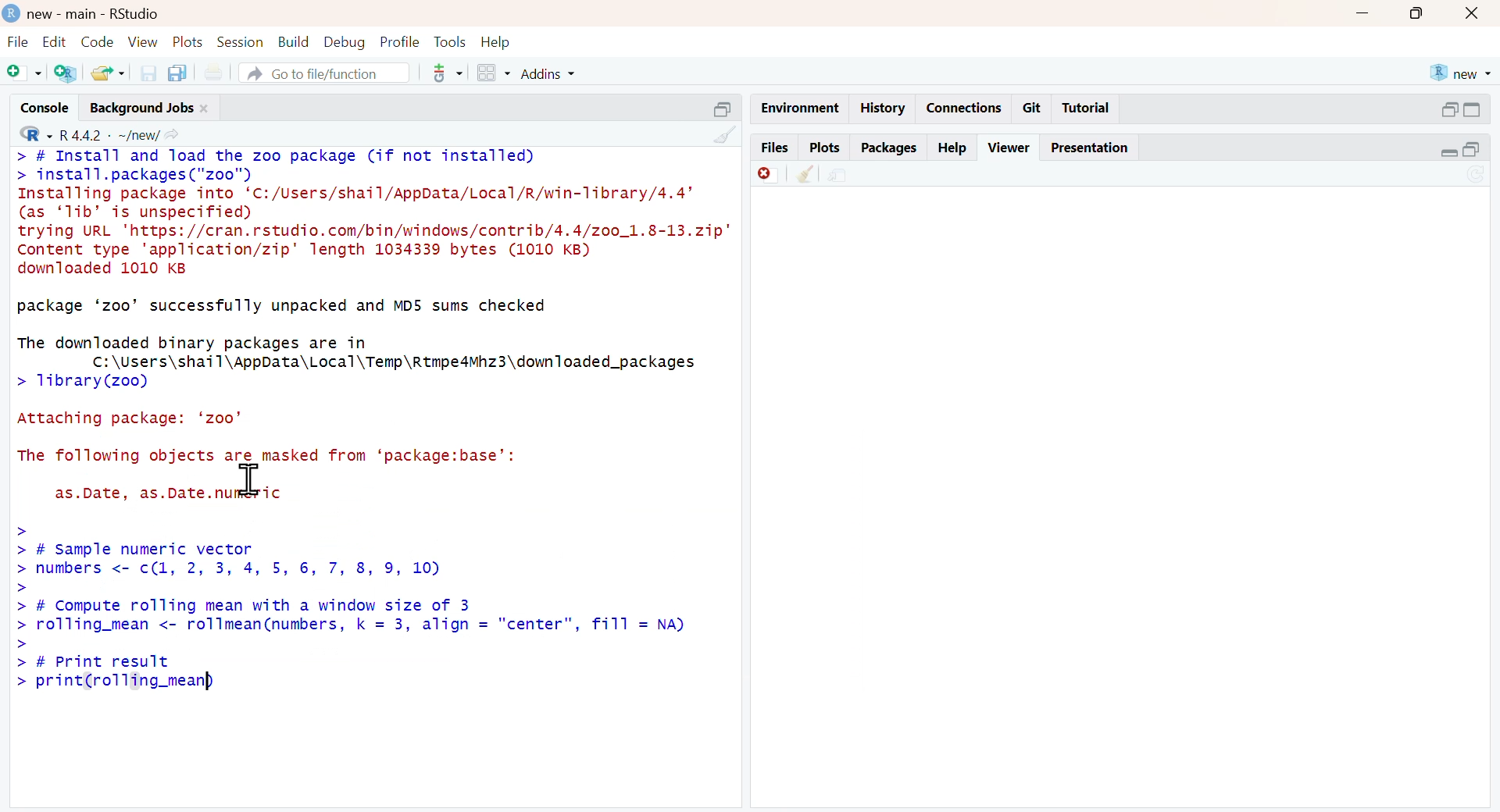 The image size is (1500, 812). I want to click on share file, so click(838, 175).